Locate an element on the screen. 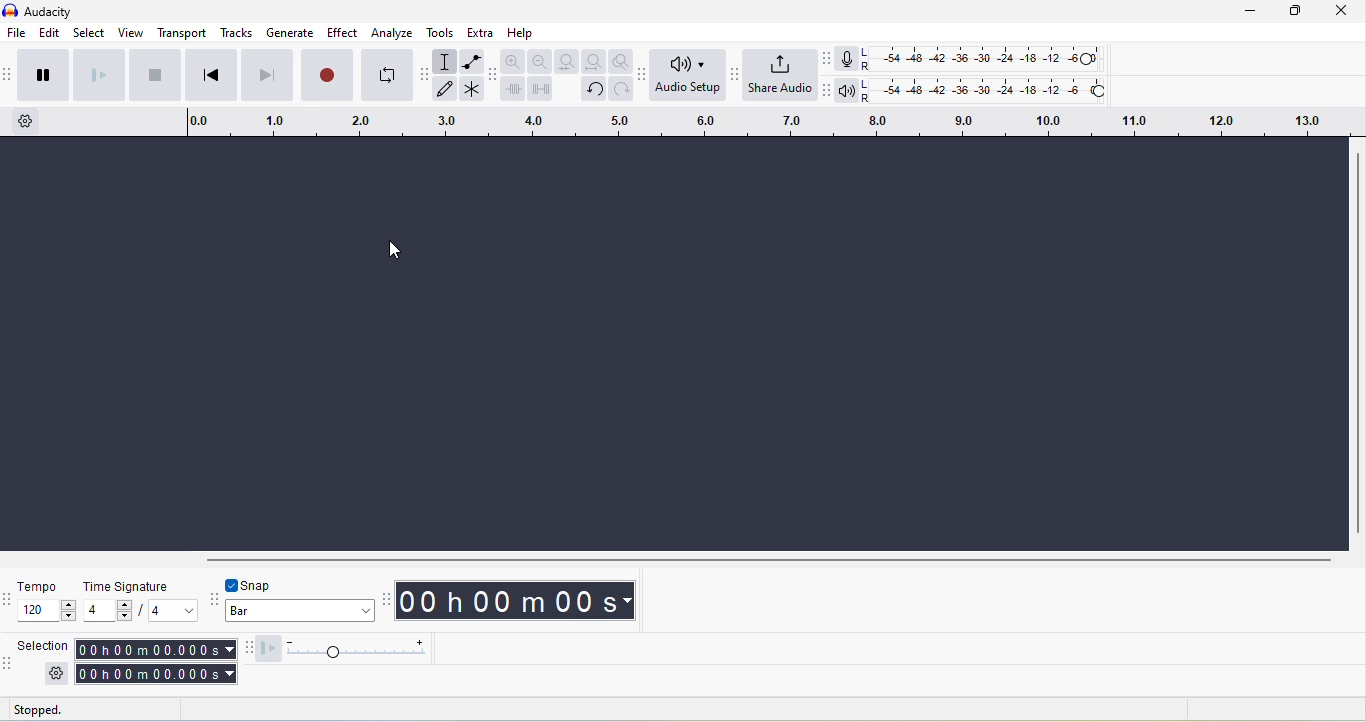 Image resolution: width=1366 pixels, height=722 pixels. enable looping is located at coordinates (388, 76).